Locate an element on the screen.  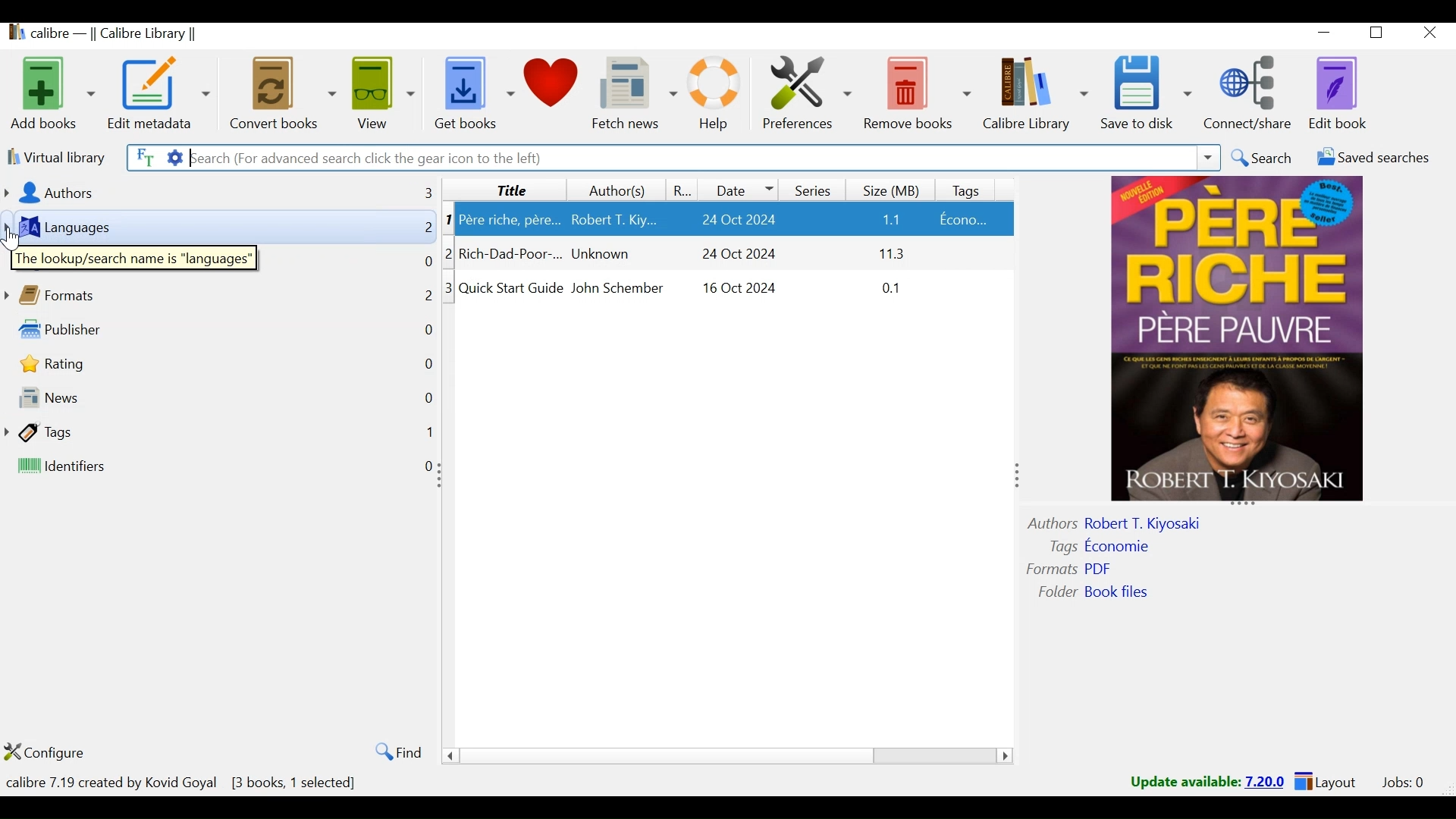
$5)
Sa
PERE PAUVRE
ROBERT Ny KIYOSAKI is located at coordinates (1244, 343).